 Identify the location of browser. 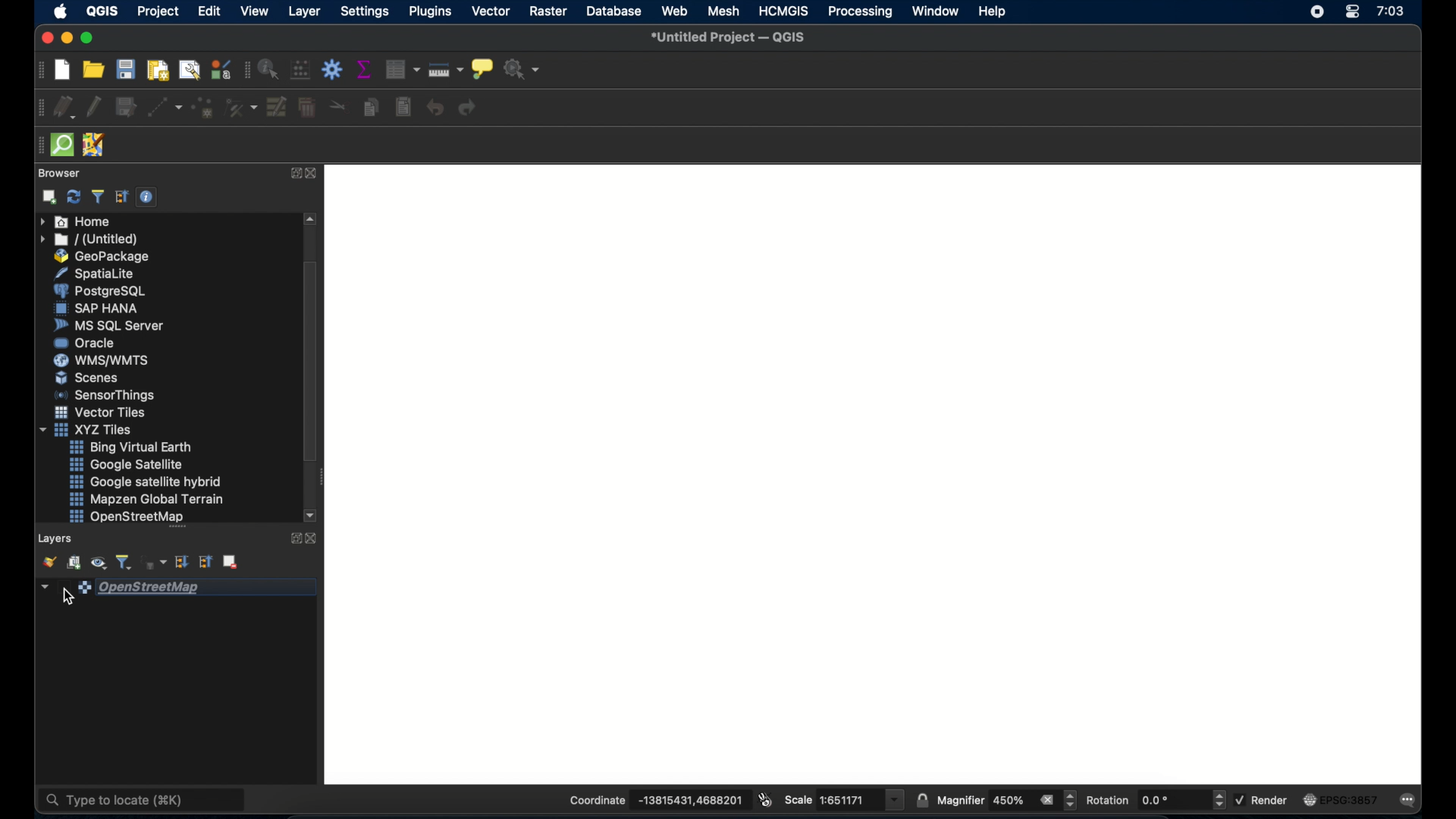
(58, 174).